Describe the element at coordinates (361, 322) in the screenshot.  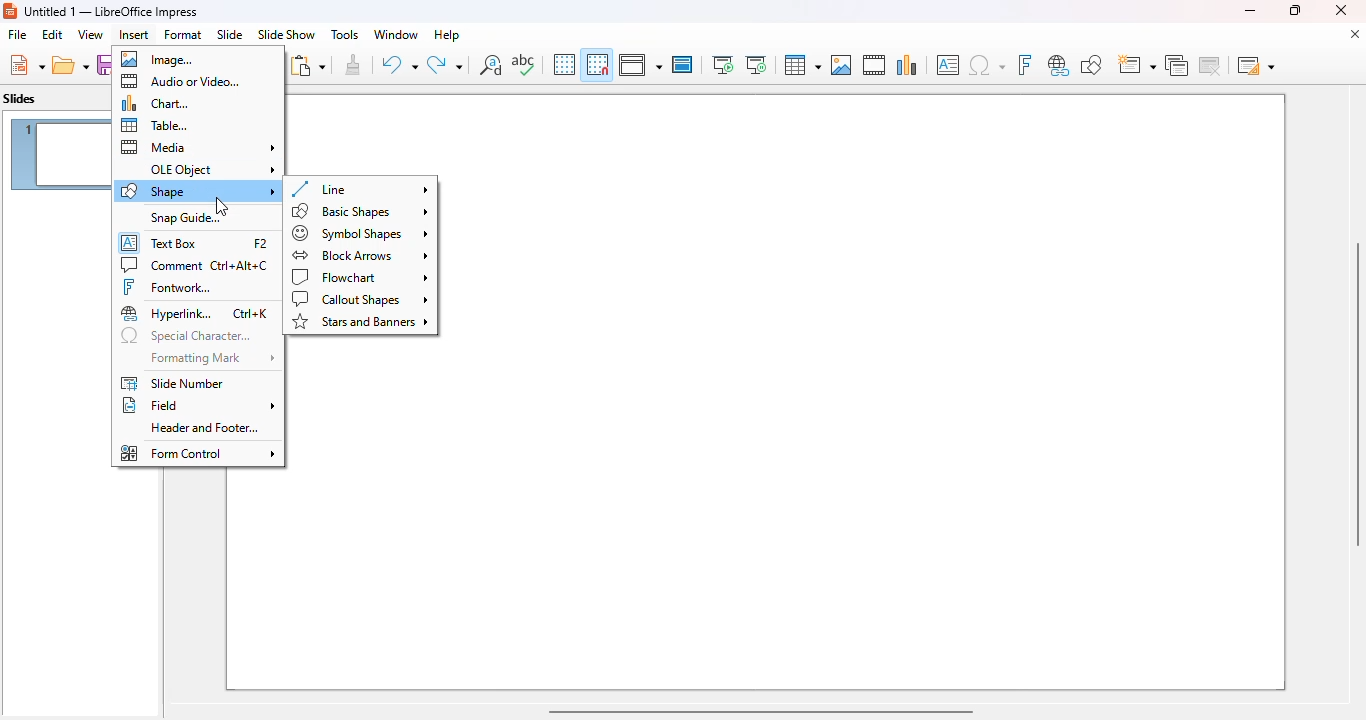
I see `stars and banners` at that location.